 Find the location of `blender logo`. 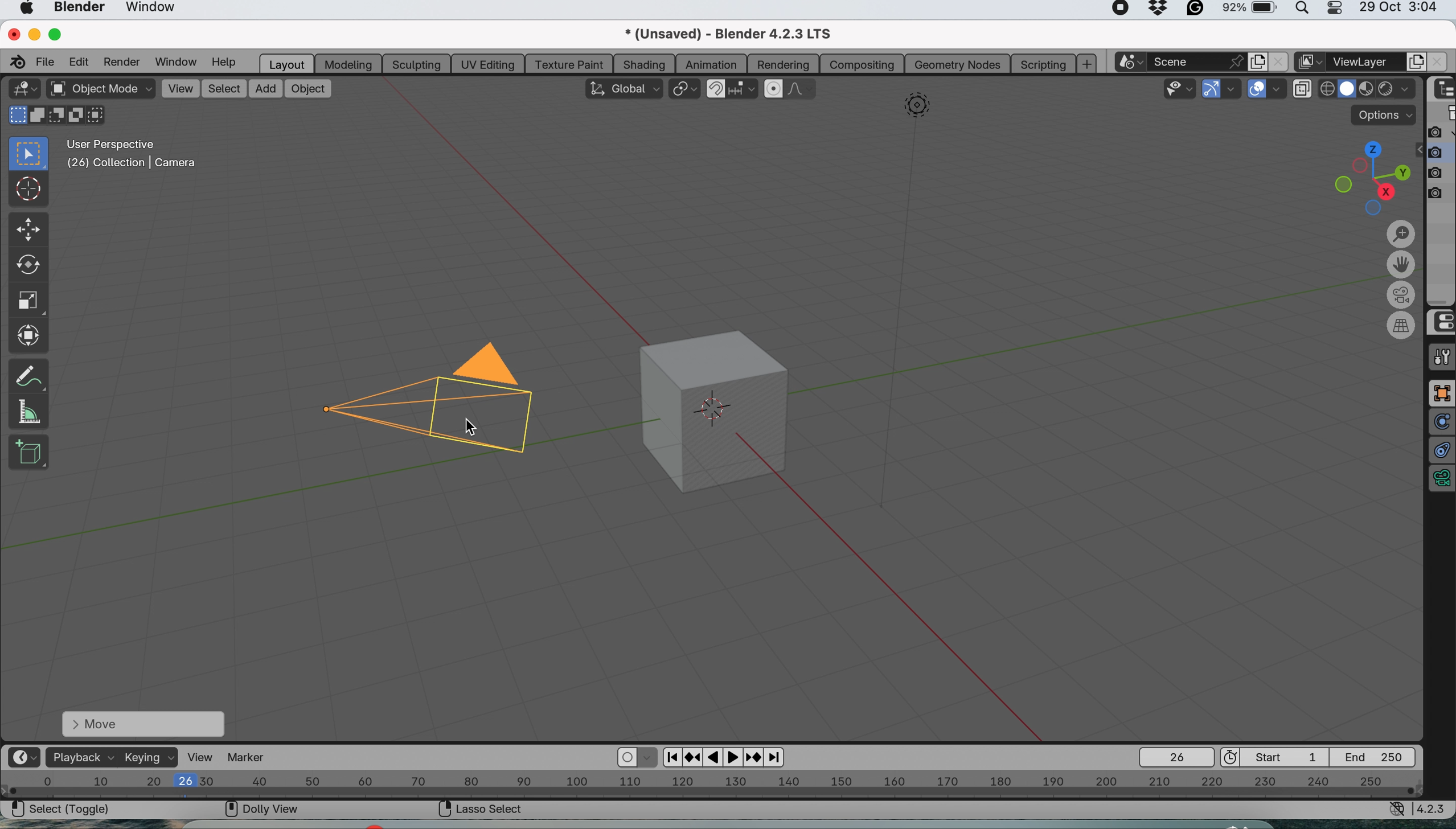

blender logo is located at coordinates (15, 61).